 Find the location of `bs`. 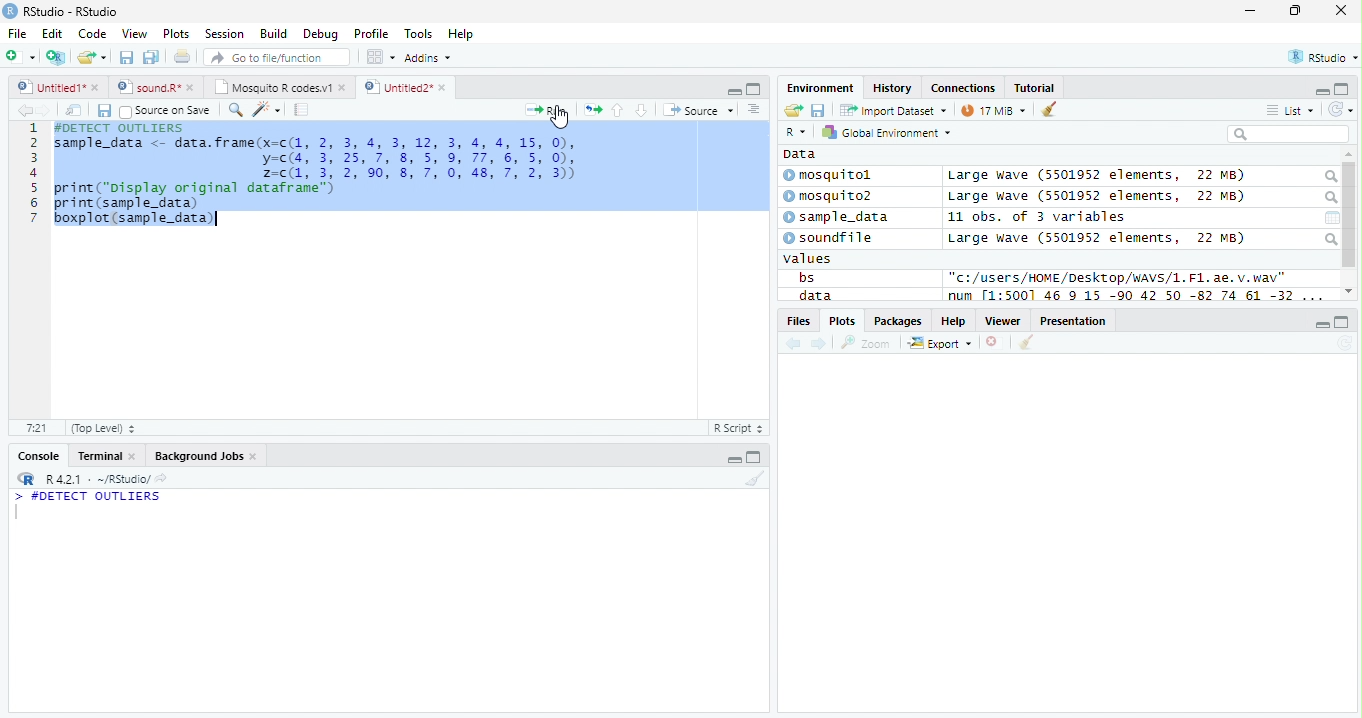

bs is located at coordinates (806, 277).